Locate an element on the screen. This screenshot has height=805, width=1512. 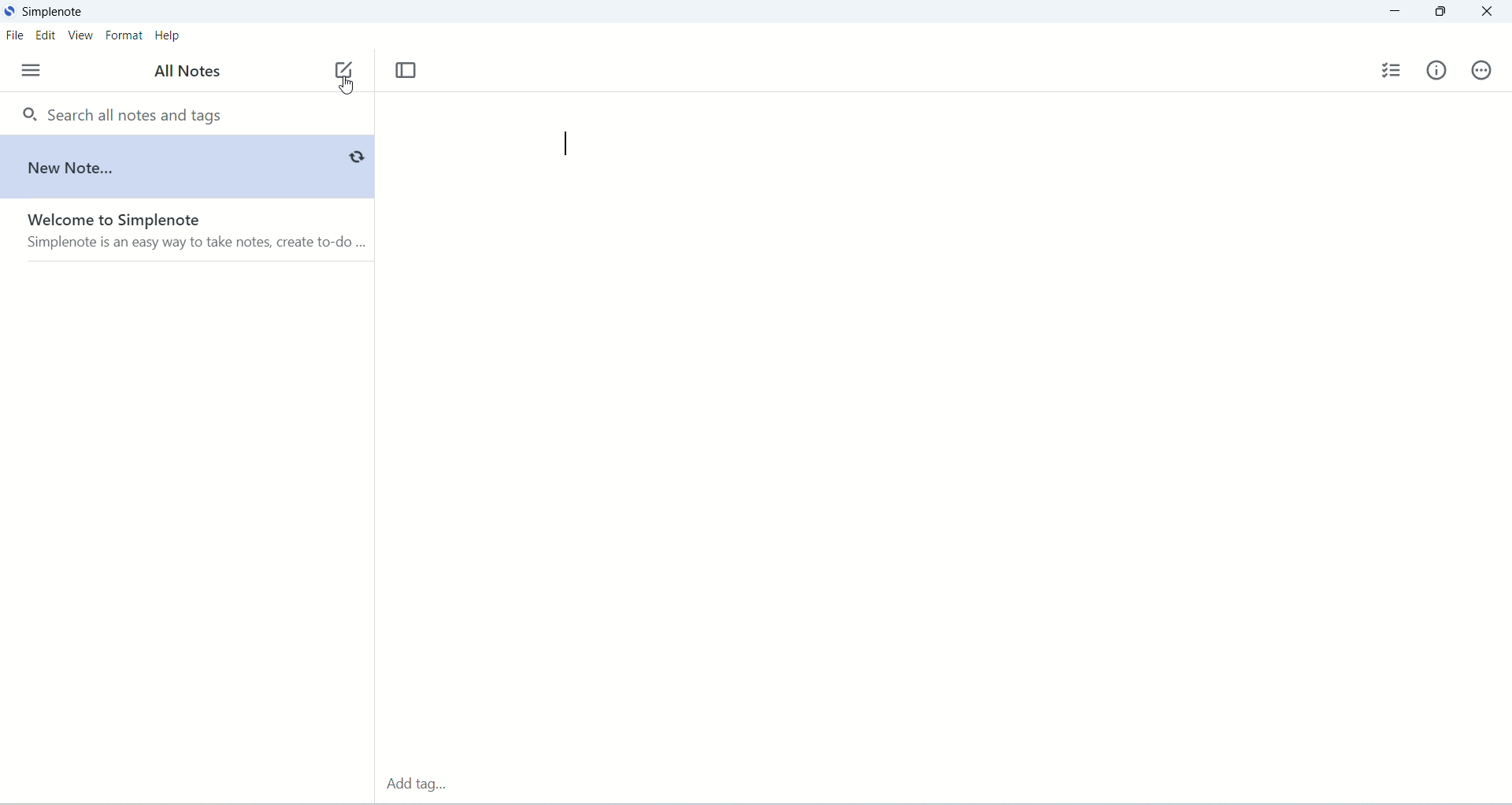
maximize is located at coordinates (1443, 14).